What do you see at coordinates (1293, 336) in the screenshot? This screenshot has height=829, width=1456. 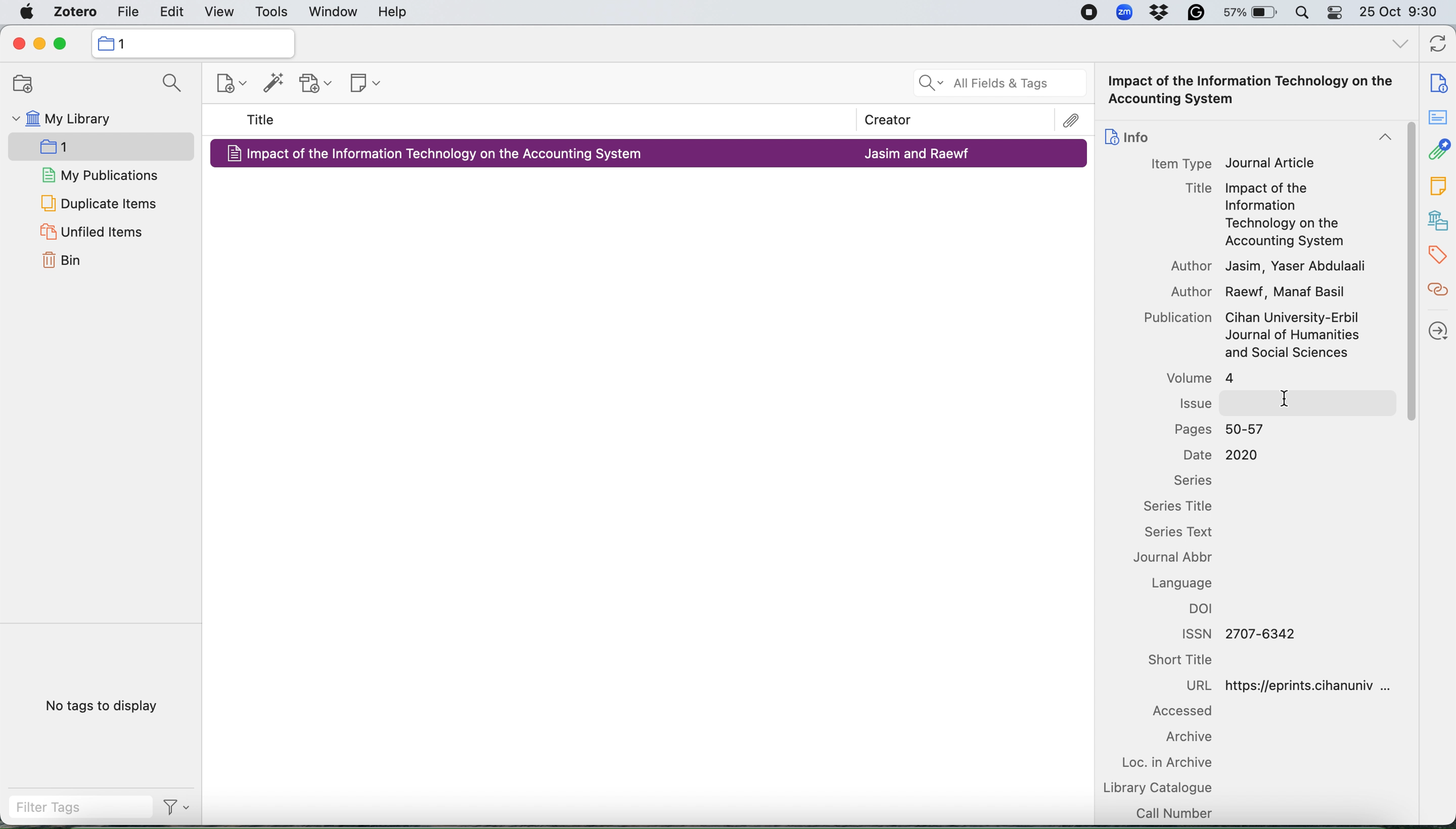 I see `Cihan University-Erbil Journal of Humanities and Social Sciences` at bounding box center [1293, 336].